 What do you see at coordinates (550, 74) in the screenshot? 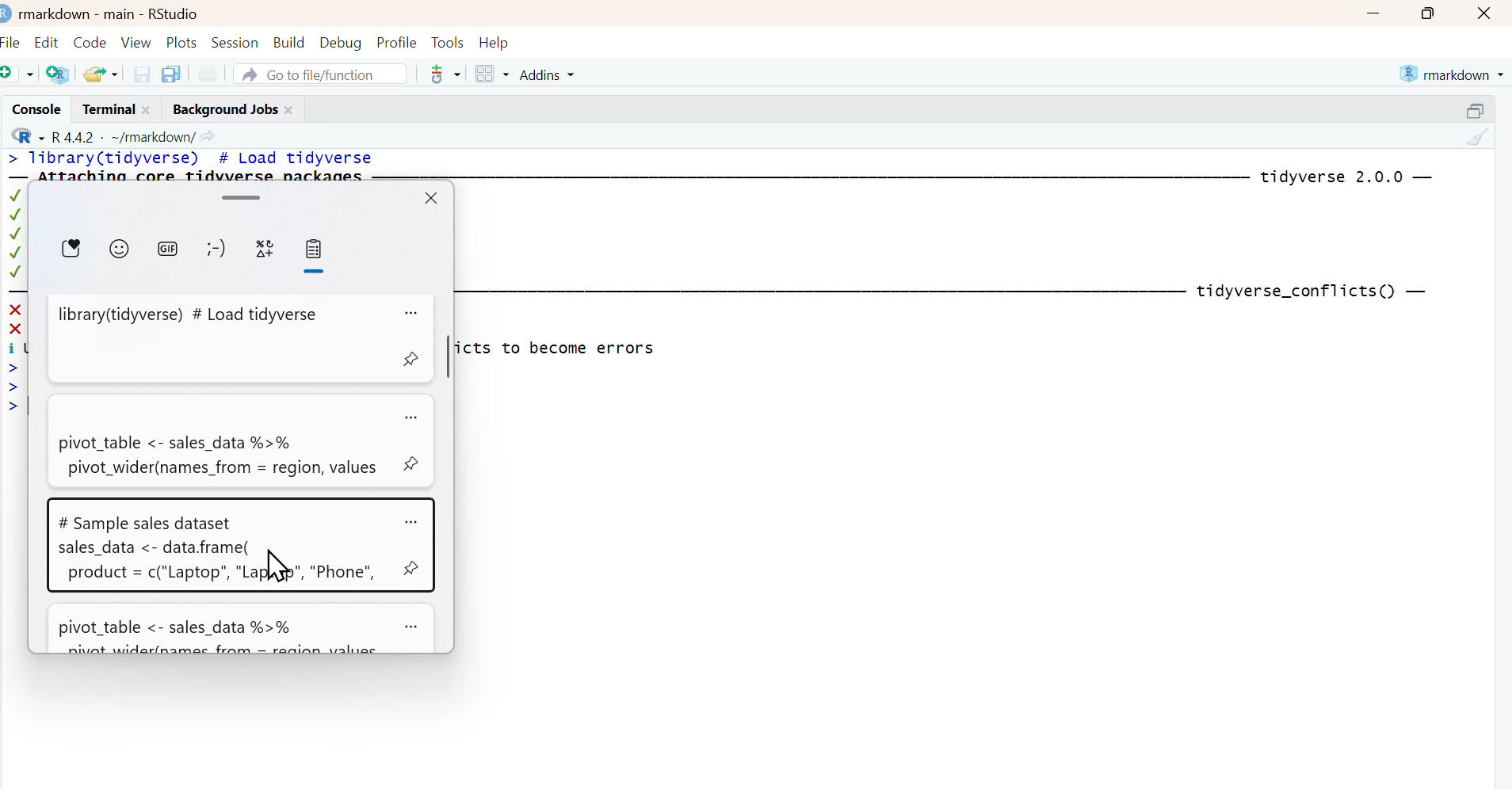
I see `Addins` at bounding box center [550, 74].